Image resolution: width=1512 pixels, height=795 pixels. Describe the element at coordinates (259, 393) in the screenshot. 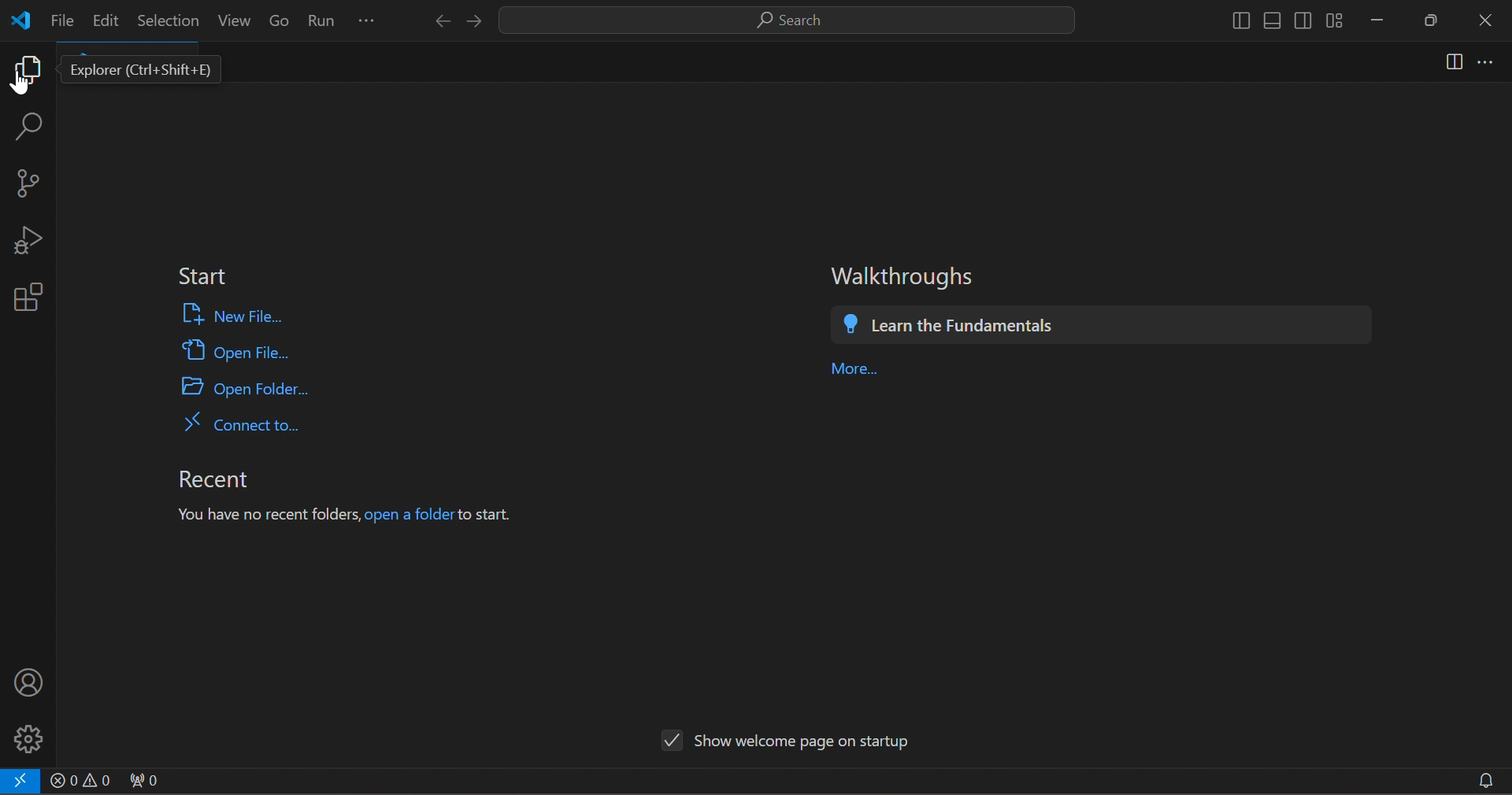

I see `Open Folder` at that location.